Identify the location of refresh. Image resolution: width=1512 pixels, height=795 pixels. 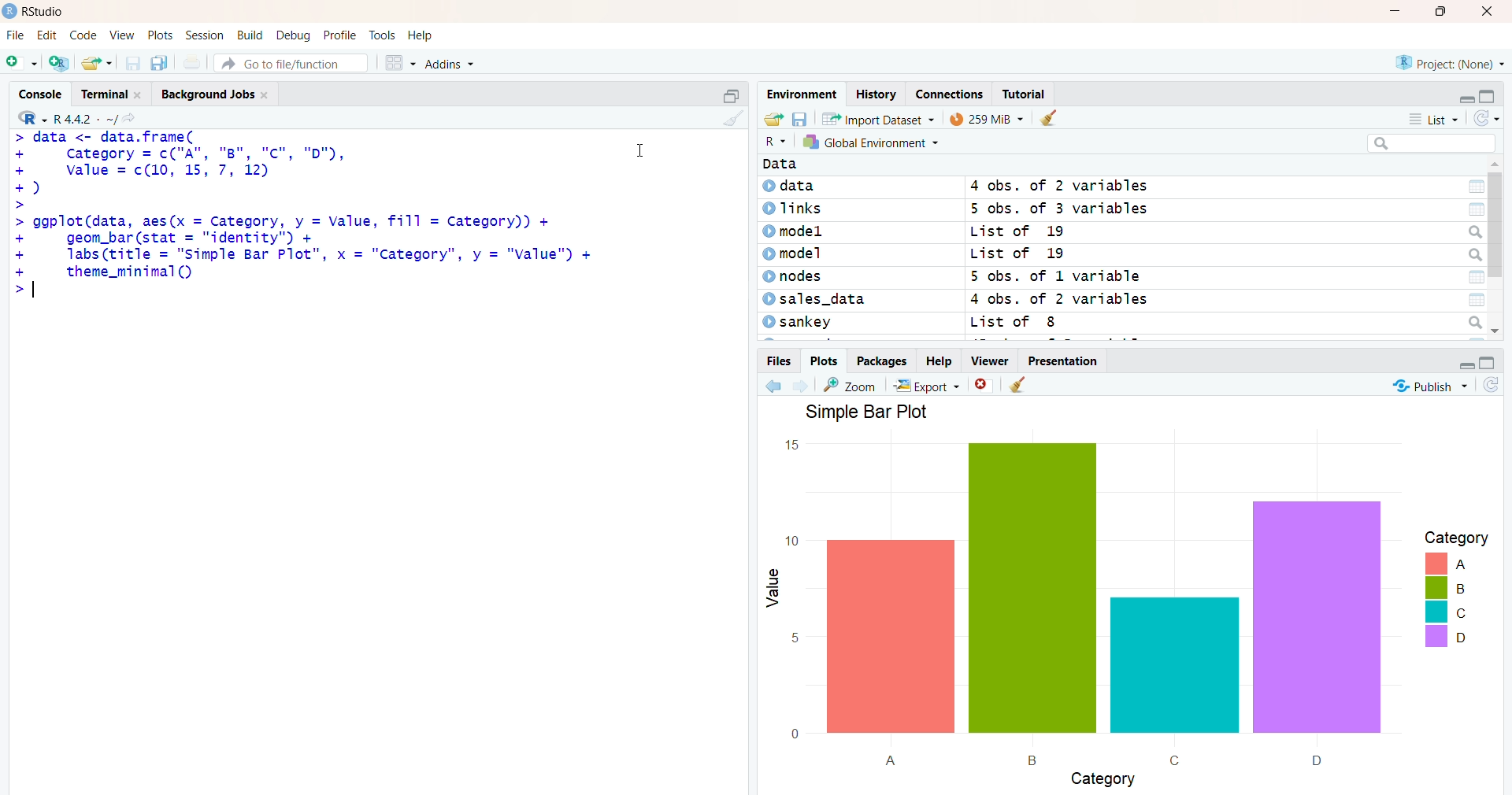
(1484, 118).